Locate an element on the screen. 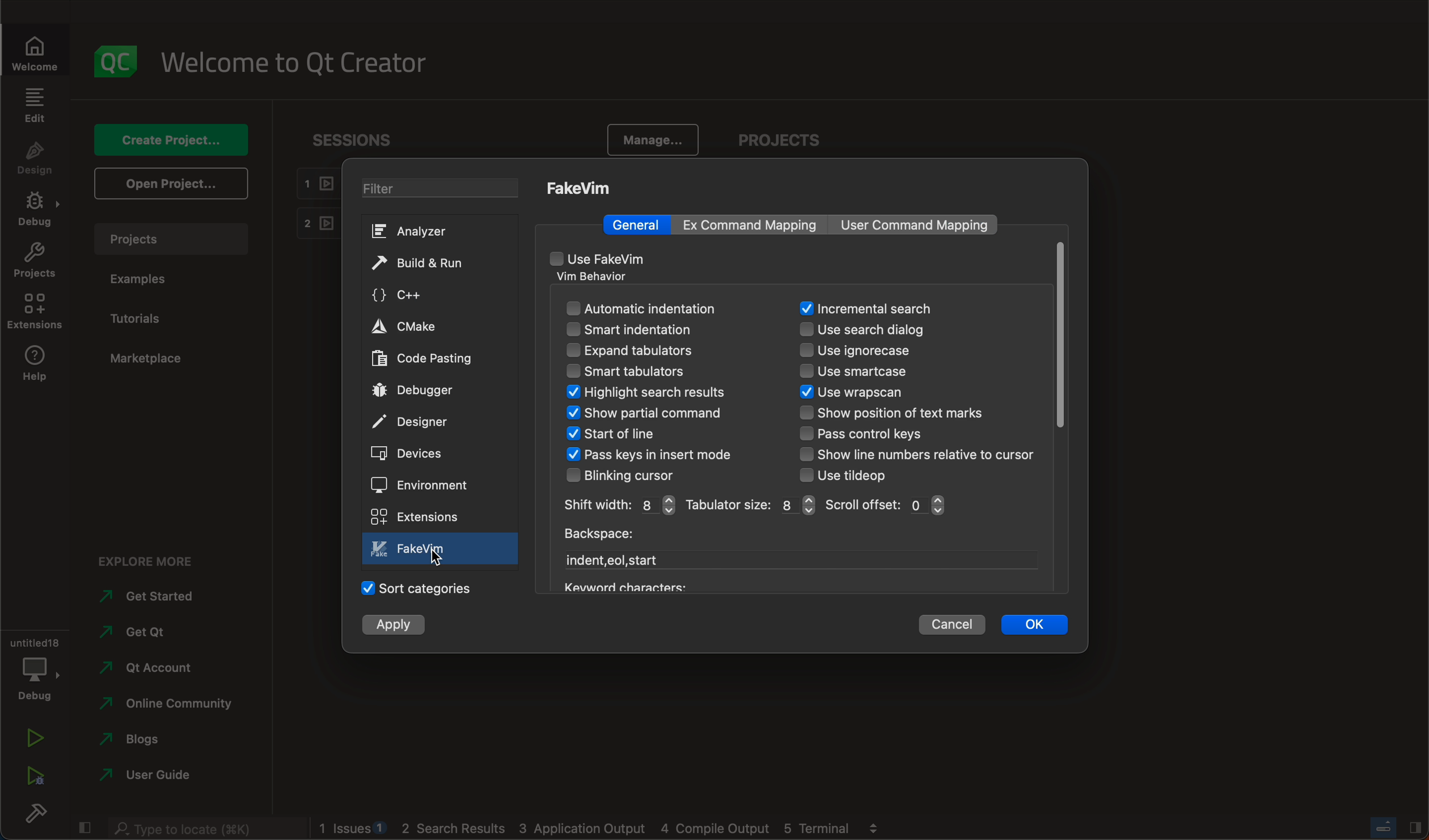  build is located at coordinates (35, 815).